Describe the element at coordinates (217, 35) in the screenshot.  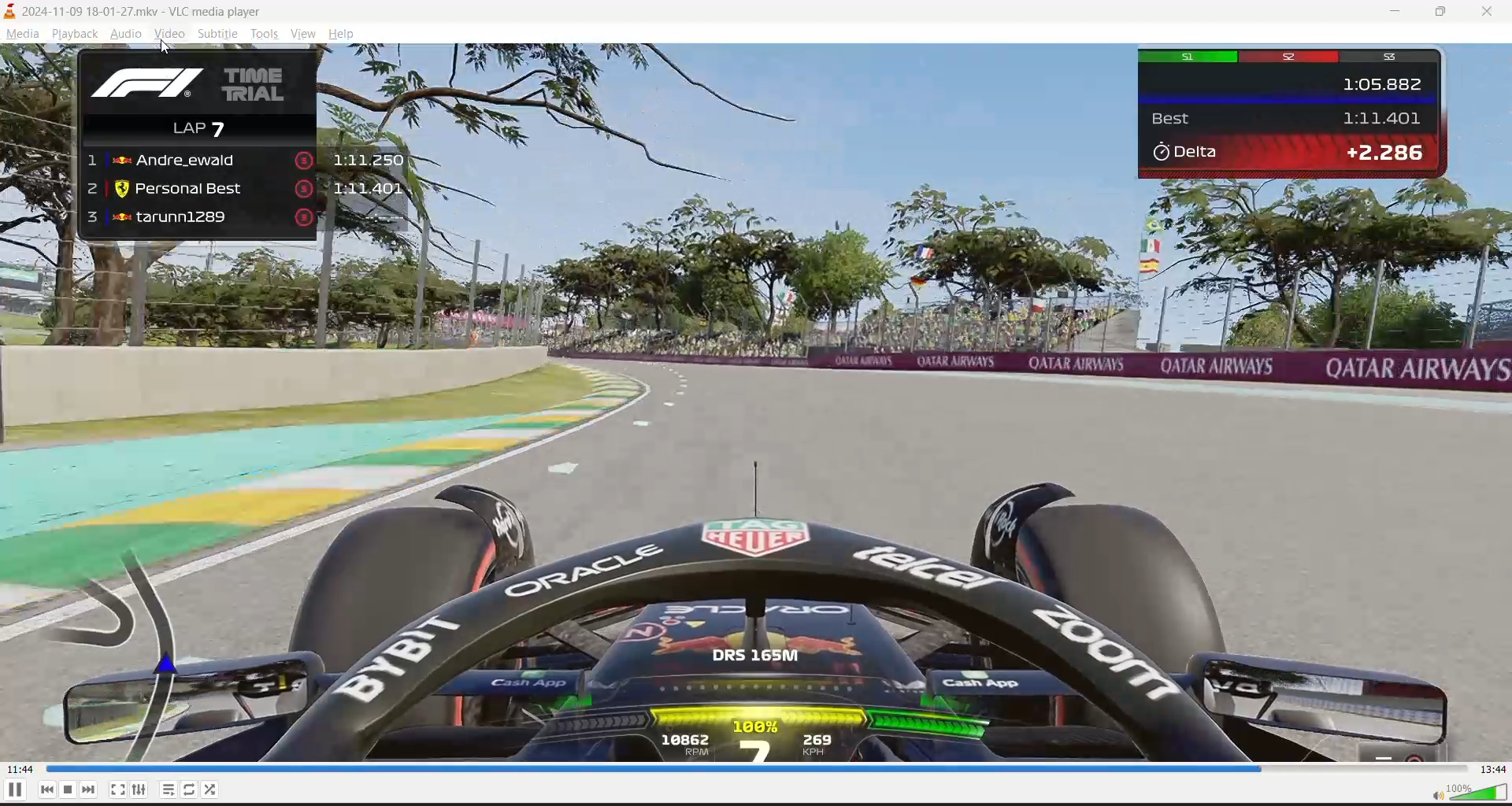
I see `subtitle` at that location.